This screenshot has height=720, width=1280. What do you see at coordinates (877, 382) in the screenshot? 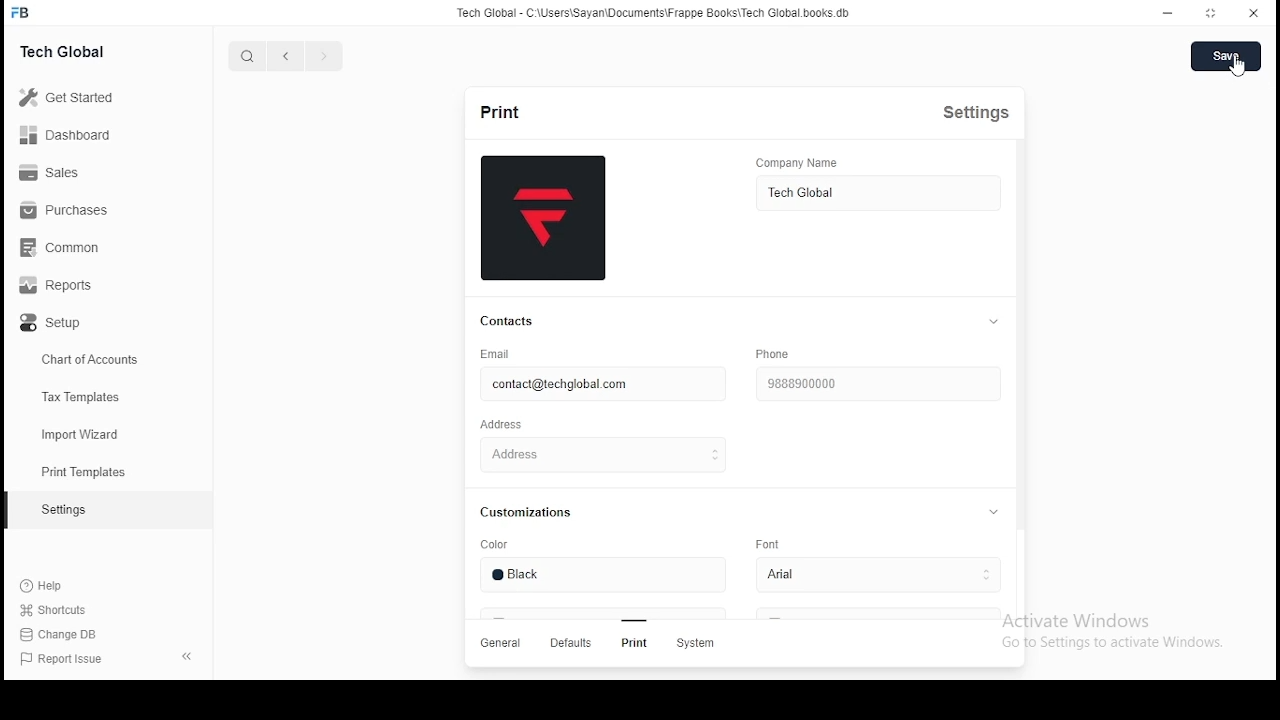
I see `Phone number input box` at bounding box center [877, 382].